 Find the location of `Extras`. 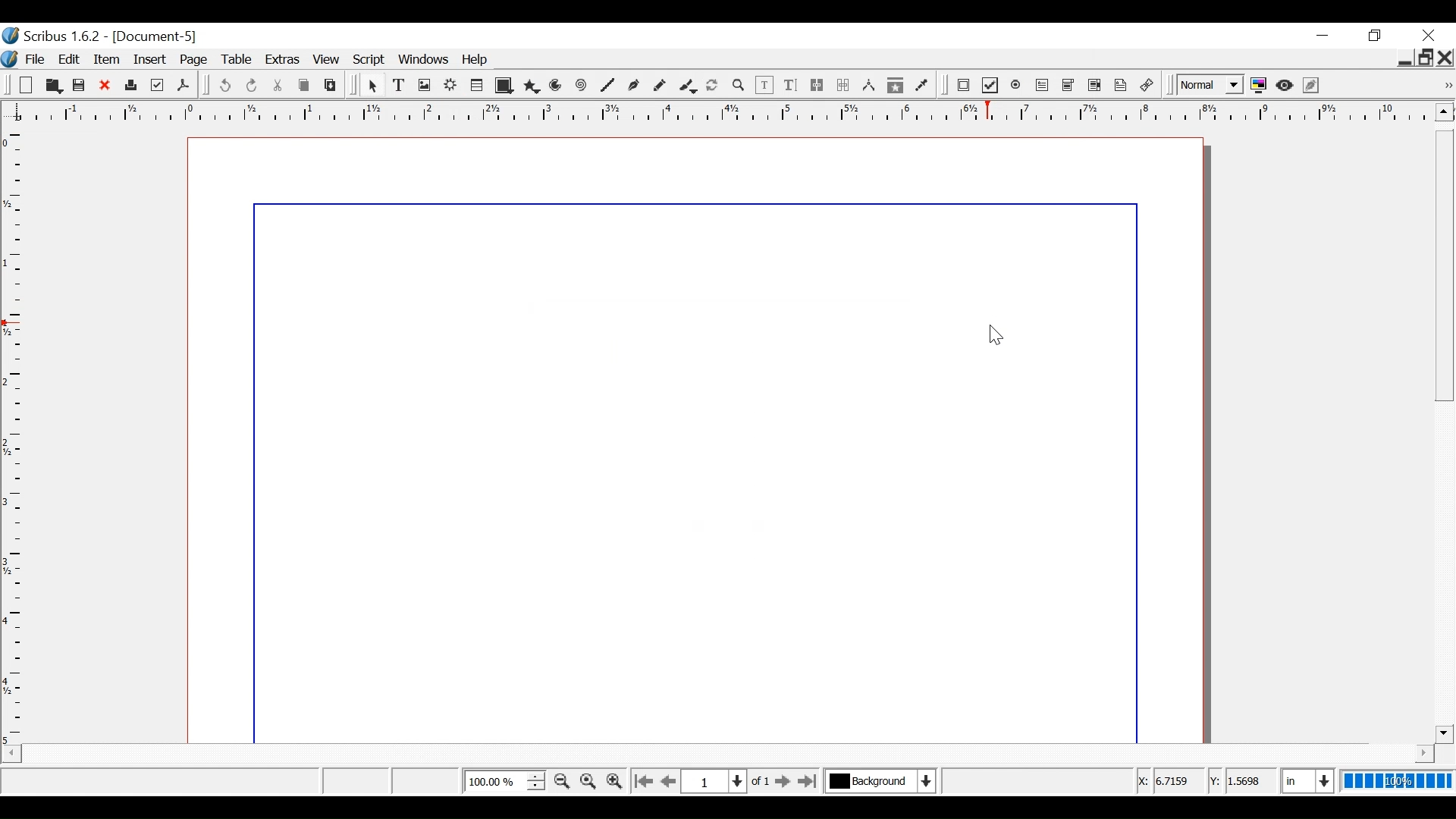

Extras is located at coordinates (283, 61).